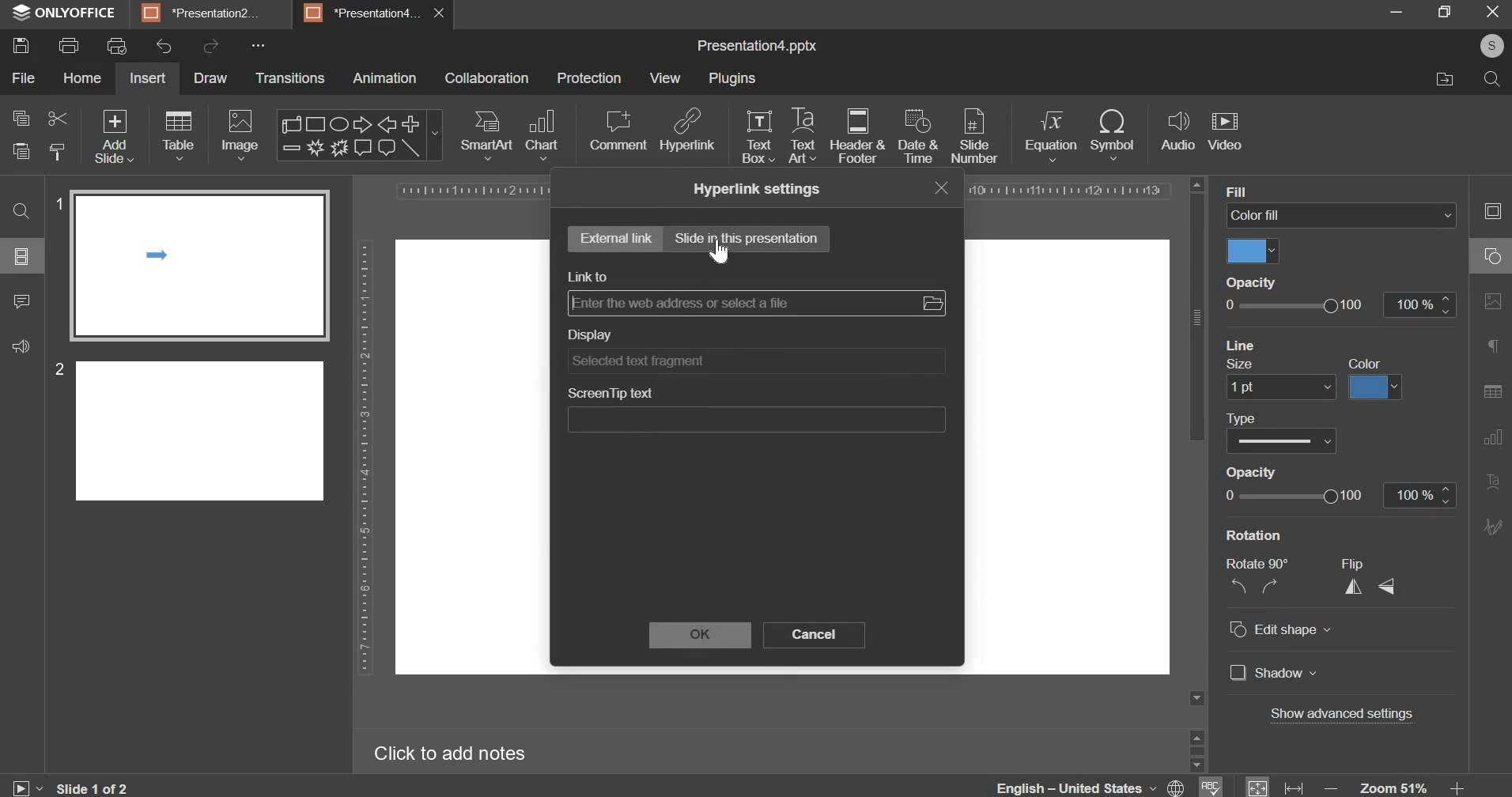 The width and height of the screenshot is (1512, 797). Describe the element at coordinates (24, 47) in the screenshot. I see `save` at that location.